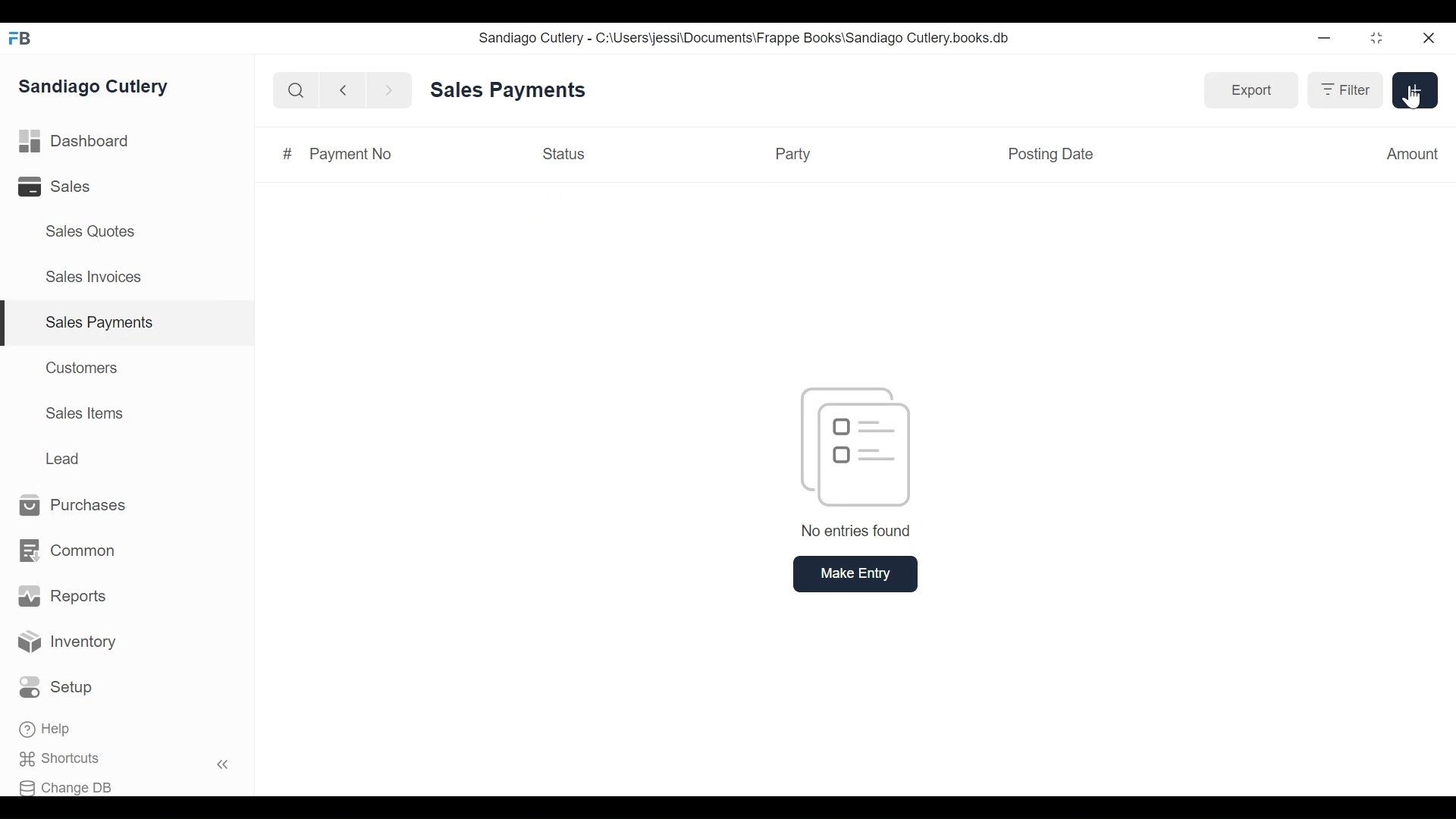  What do you see at coordinates (89, 231) in the screenshot?
I see `Sales Quotes` at bounding box center [89, 231].